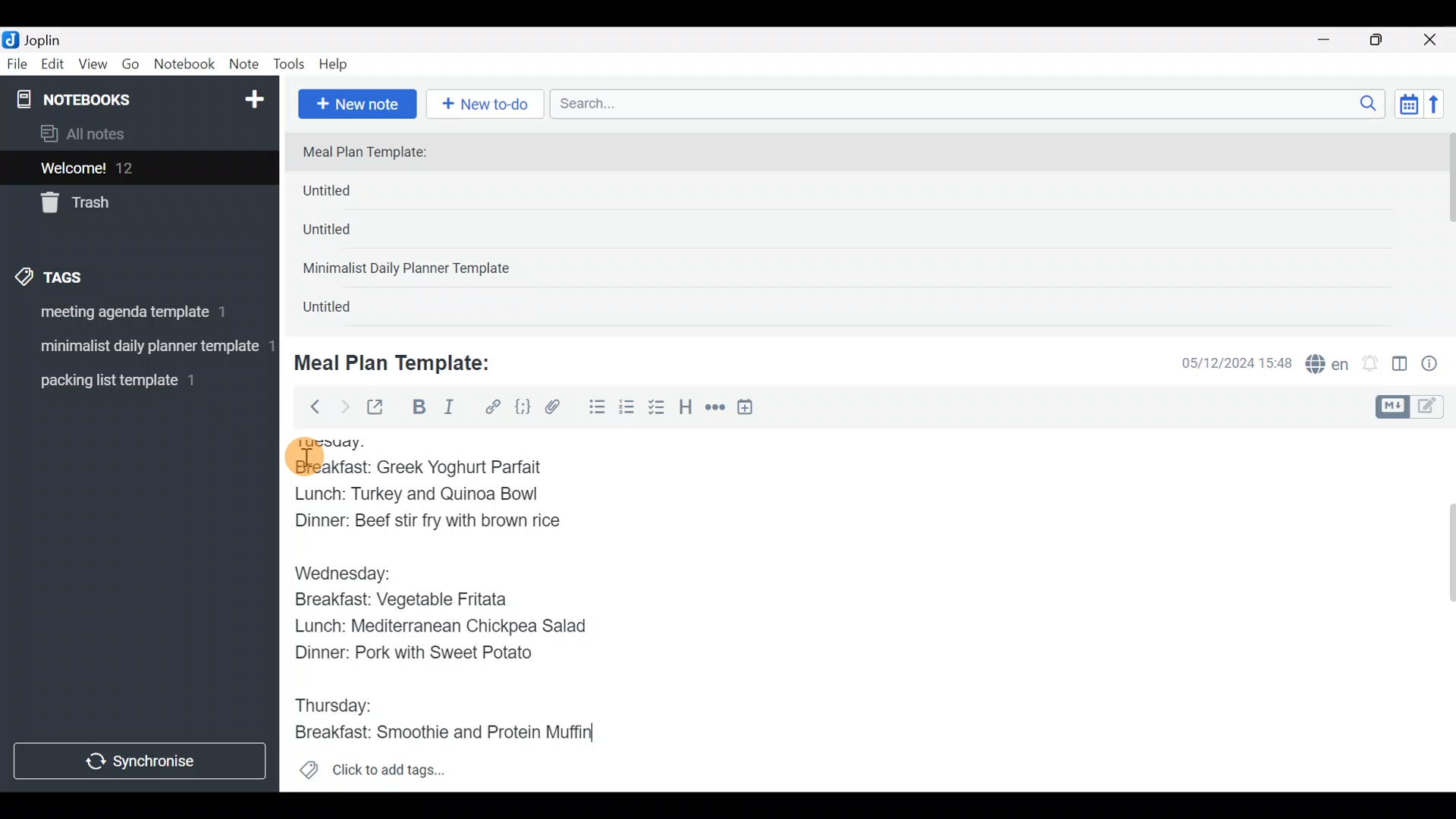  I want to click on Code, so click(521, 406).